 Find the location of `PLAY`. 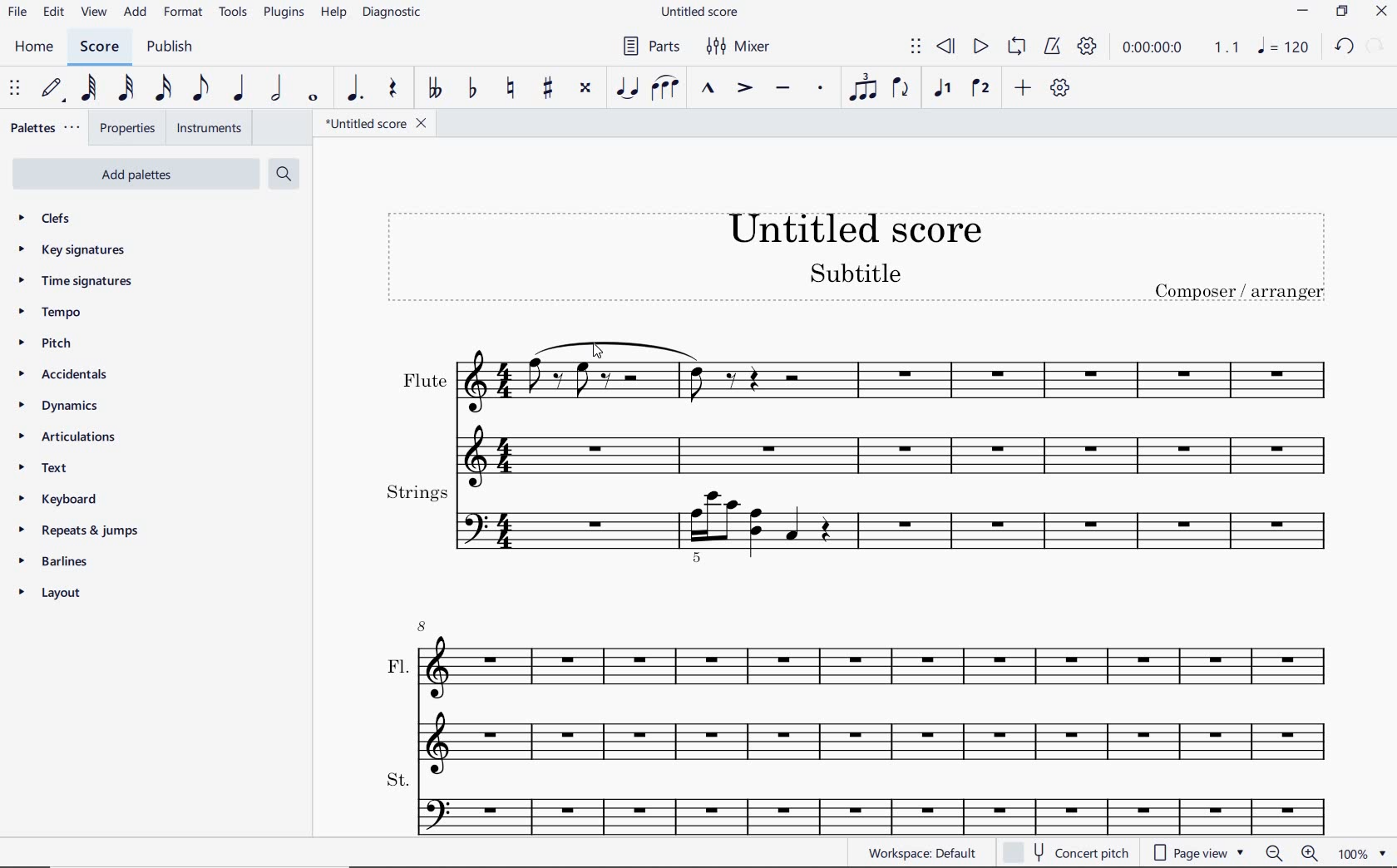

PLAY is located at coordinates (980, 45).